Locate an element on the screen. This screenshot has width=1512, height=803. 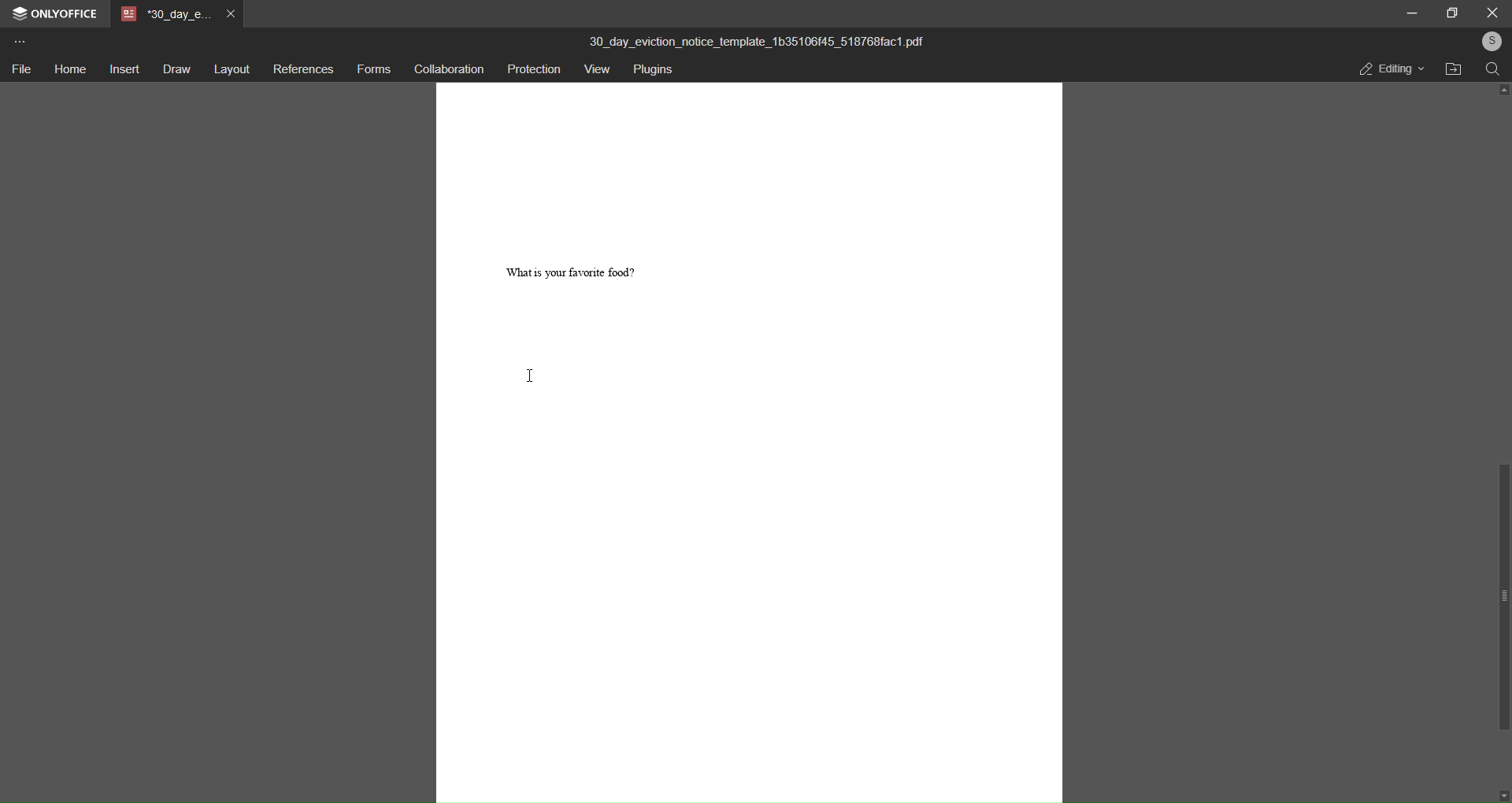
close tab is located at coordinates (230, 16).